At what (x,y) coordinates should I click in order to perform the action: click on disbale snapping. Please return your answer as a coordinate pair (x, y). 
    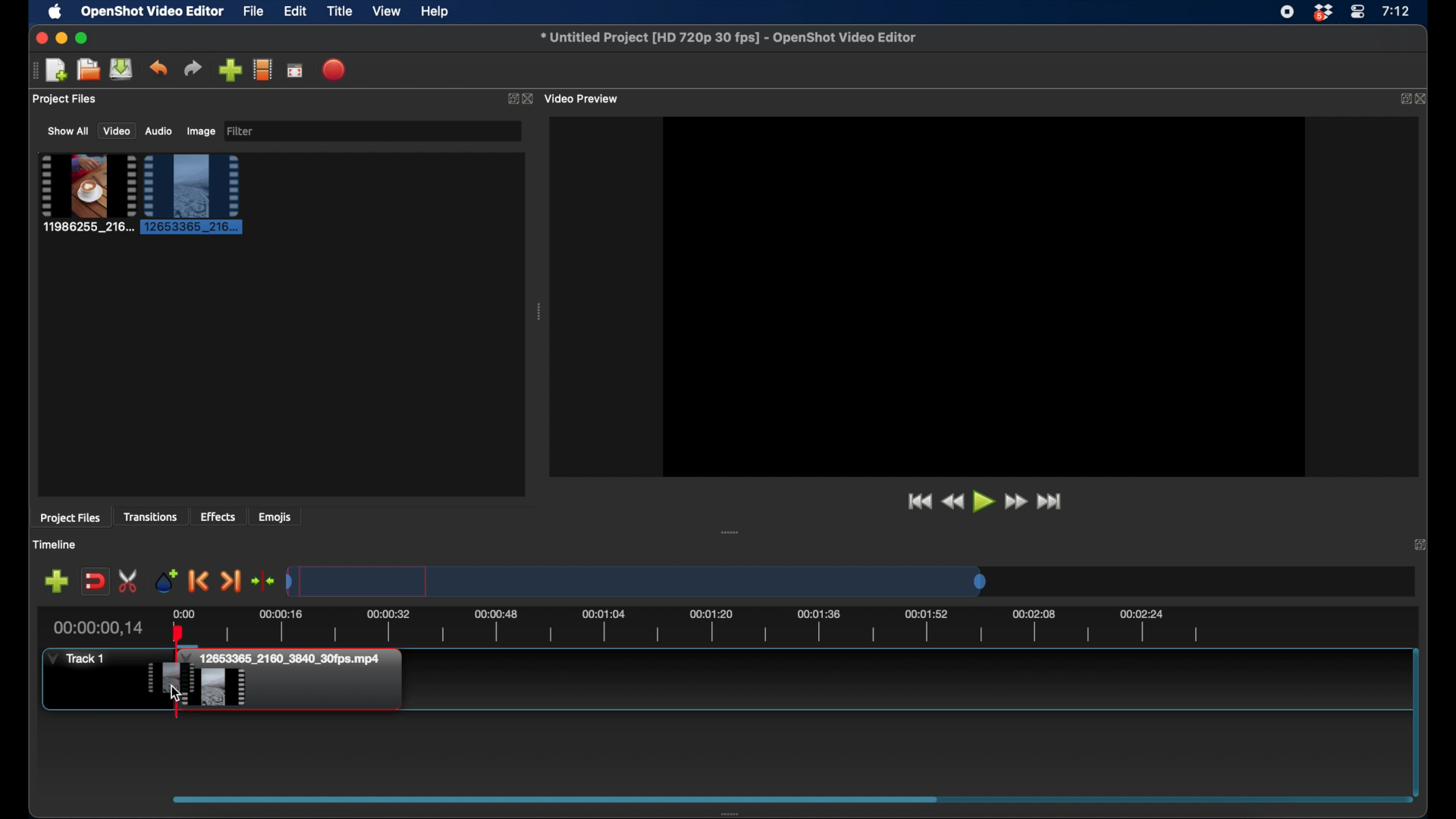
    Looking at the image, I should click on (96, 580).